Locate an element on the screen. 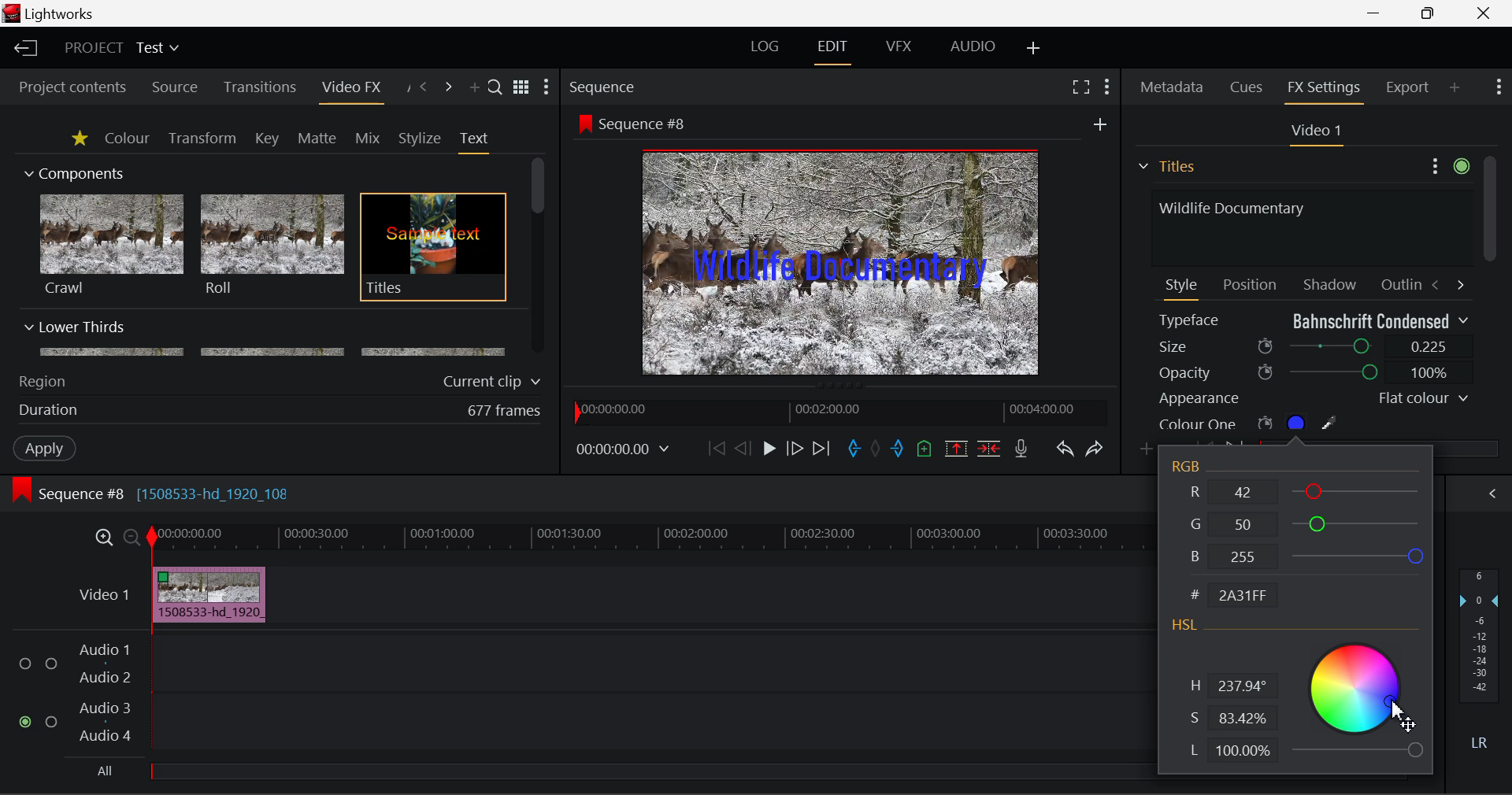 The height and width of the screenshot is (795, 1512). Project contents is located at coordinates (65, 87).